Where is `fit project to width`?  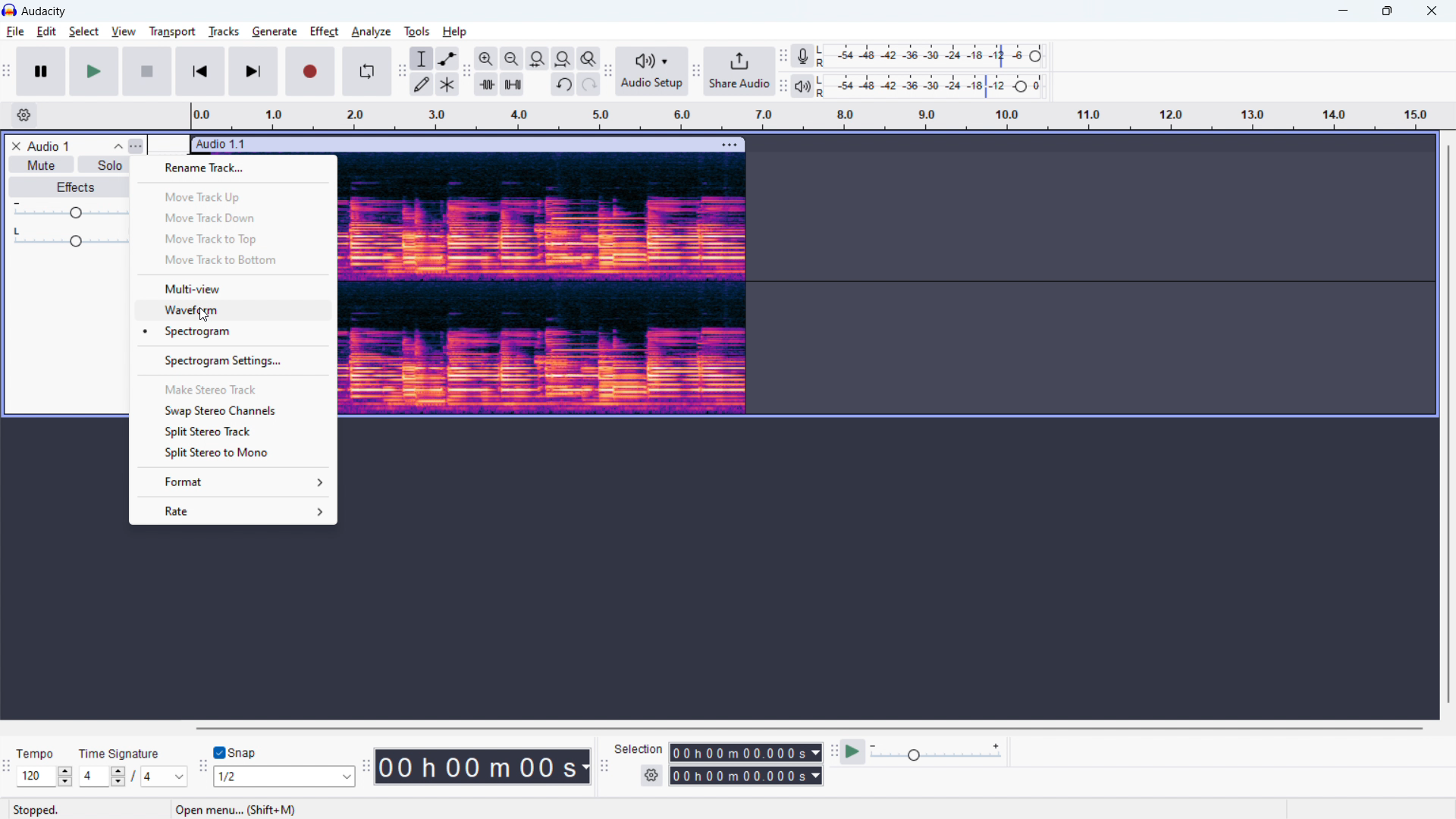
fit project to width is located at coordinates (563, 58).